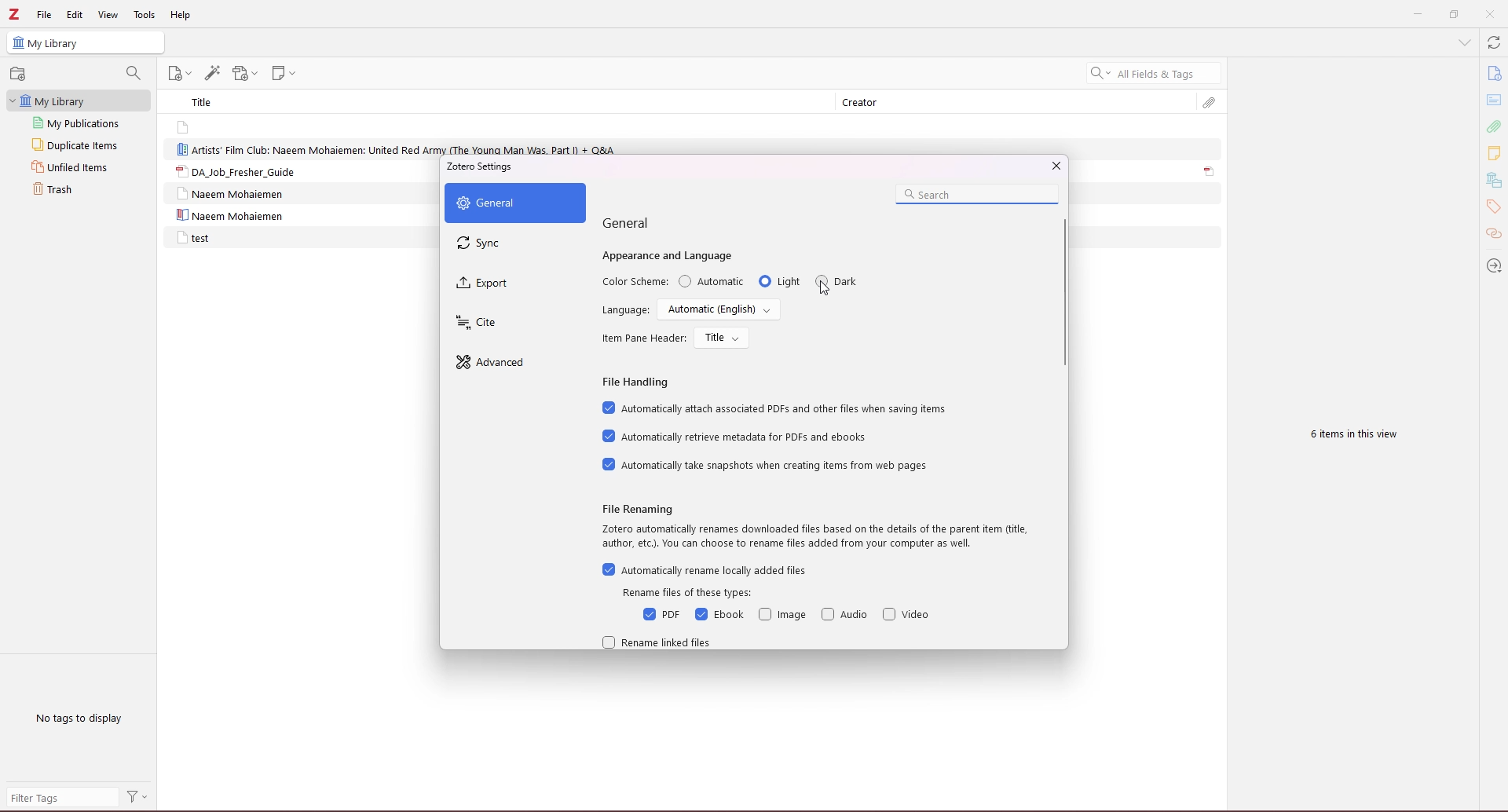  Describe the element at coordinates (1154, 73) in the screenshot. I see `search bar` at that location.